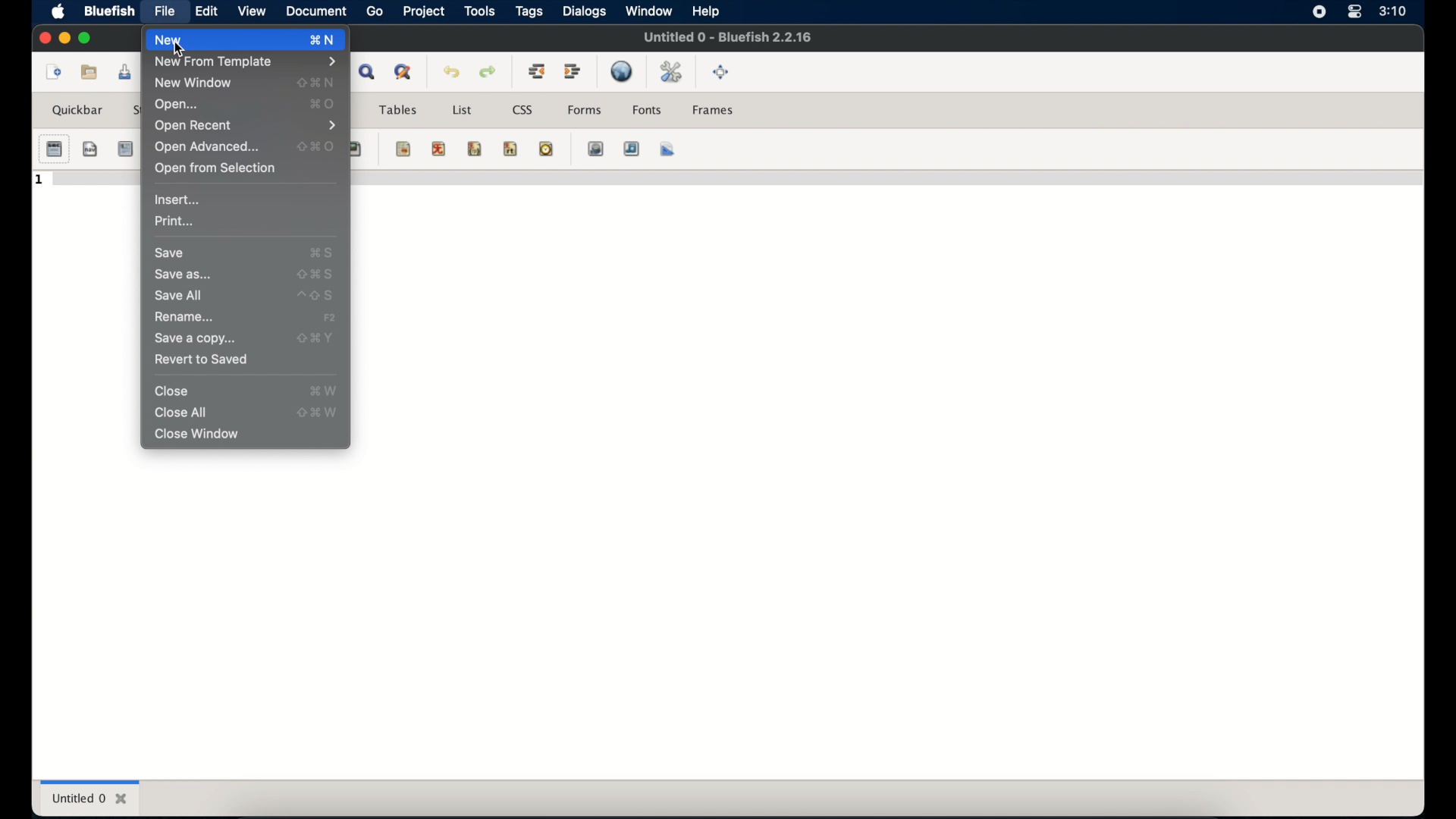 This screenshot has width=1456, height=819. I want to click on fullscreen , so click(721, 72).